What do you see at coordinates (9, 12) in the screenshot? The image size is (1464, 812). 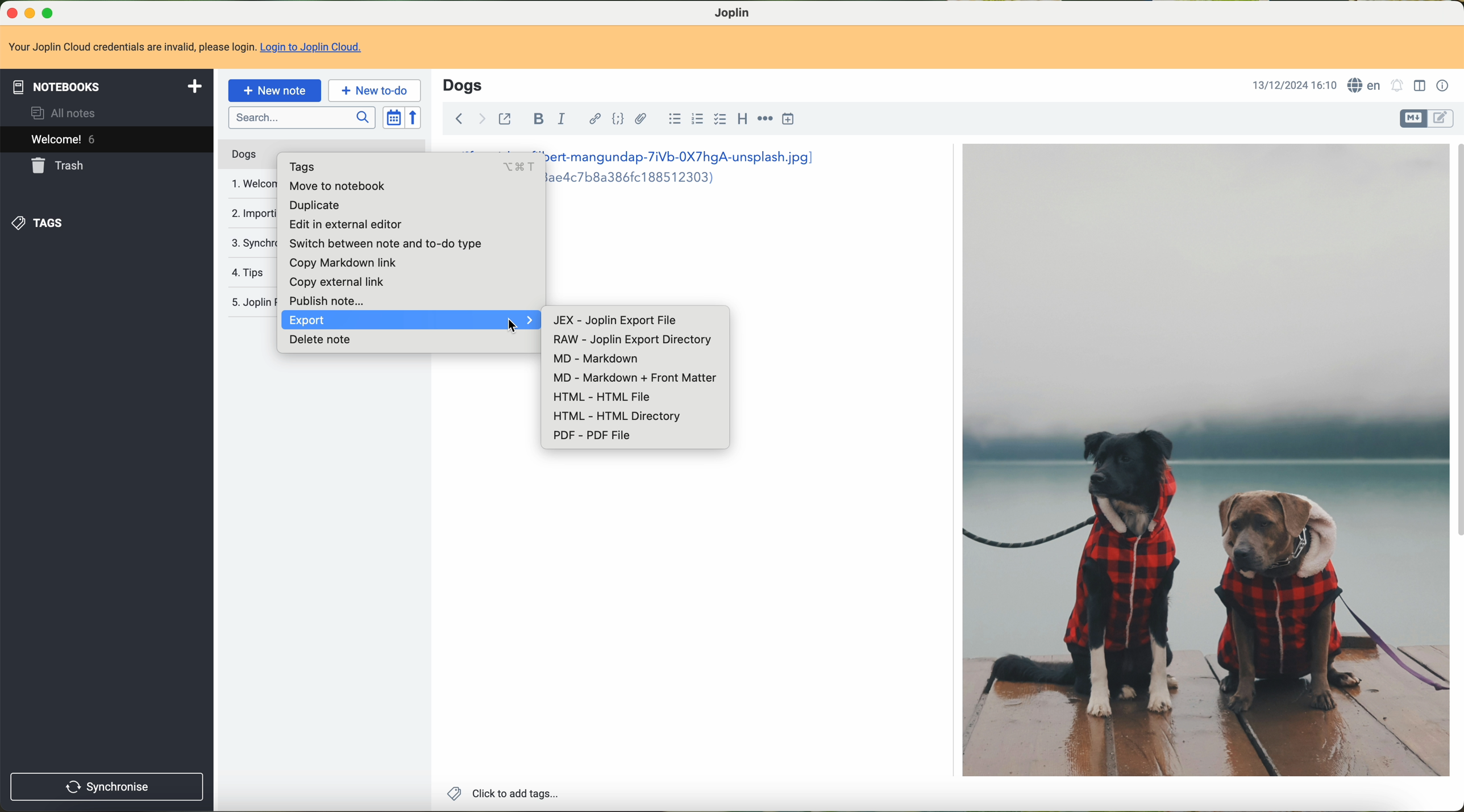 I see `close Joplin` at bounding box center [9, 12].